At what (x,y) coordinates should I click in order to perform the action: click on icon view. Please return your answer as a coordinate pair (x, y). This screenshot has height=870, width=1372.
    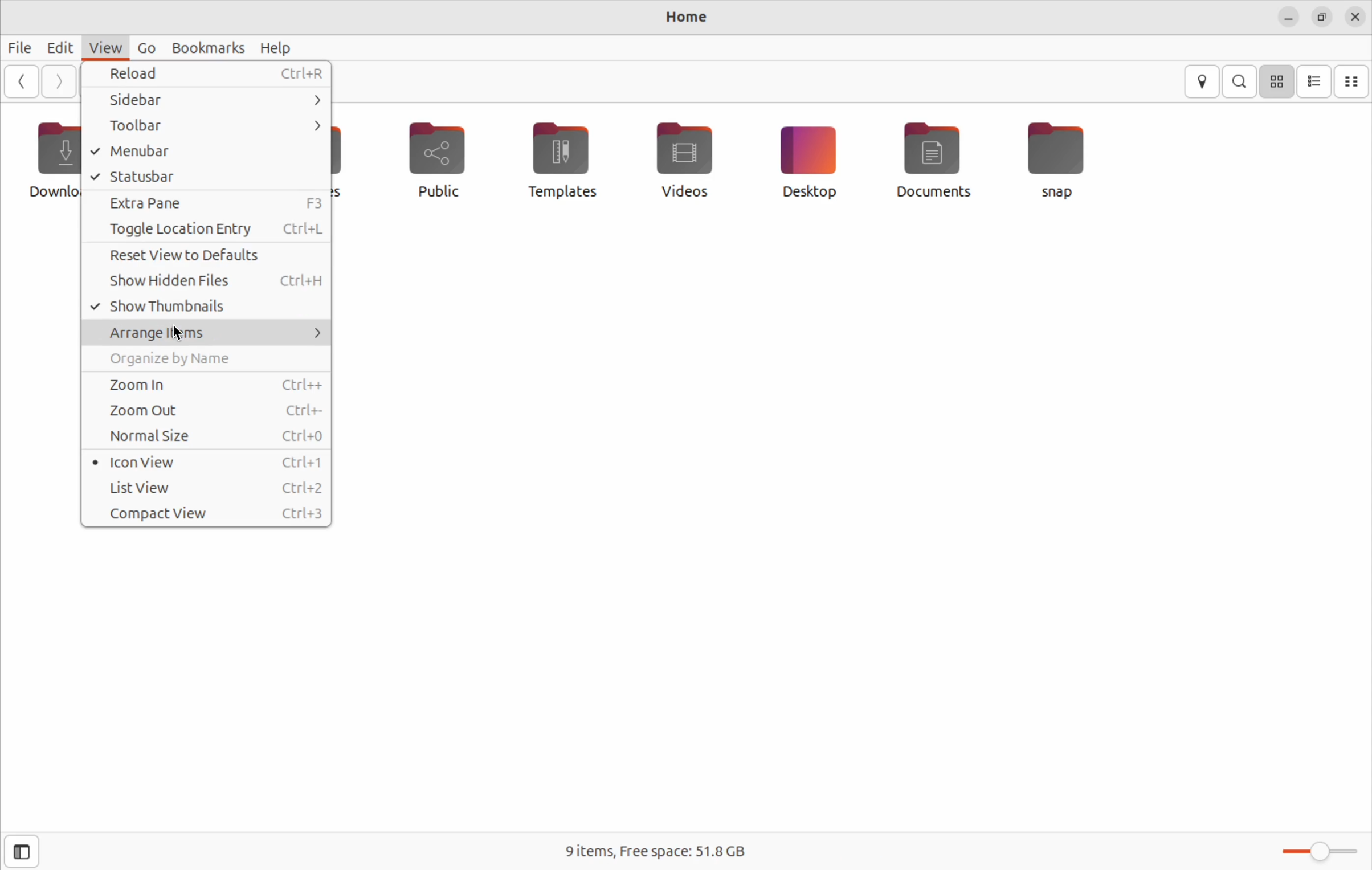
    Looking at the image, I should click on (1276, 83).